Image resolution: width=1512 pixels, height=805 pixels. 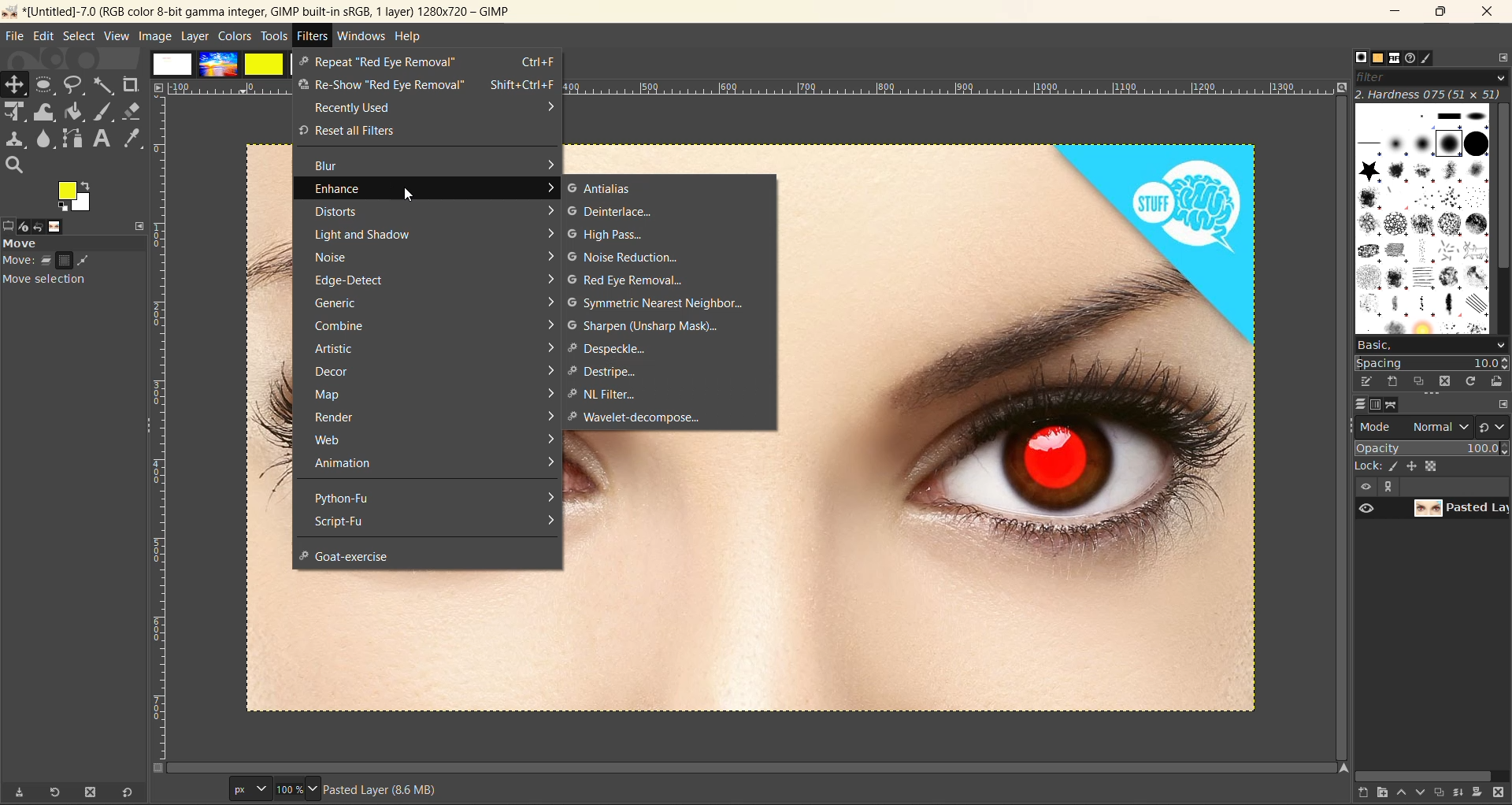 I want to click on refresh brushes, so click(x=1470, y=383).